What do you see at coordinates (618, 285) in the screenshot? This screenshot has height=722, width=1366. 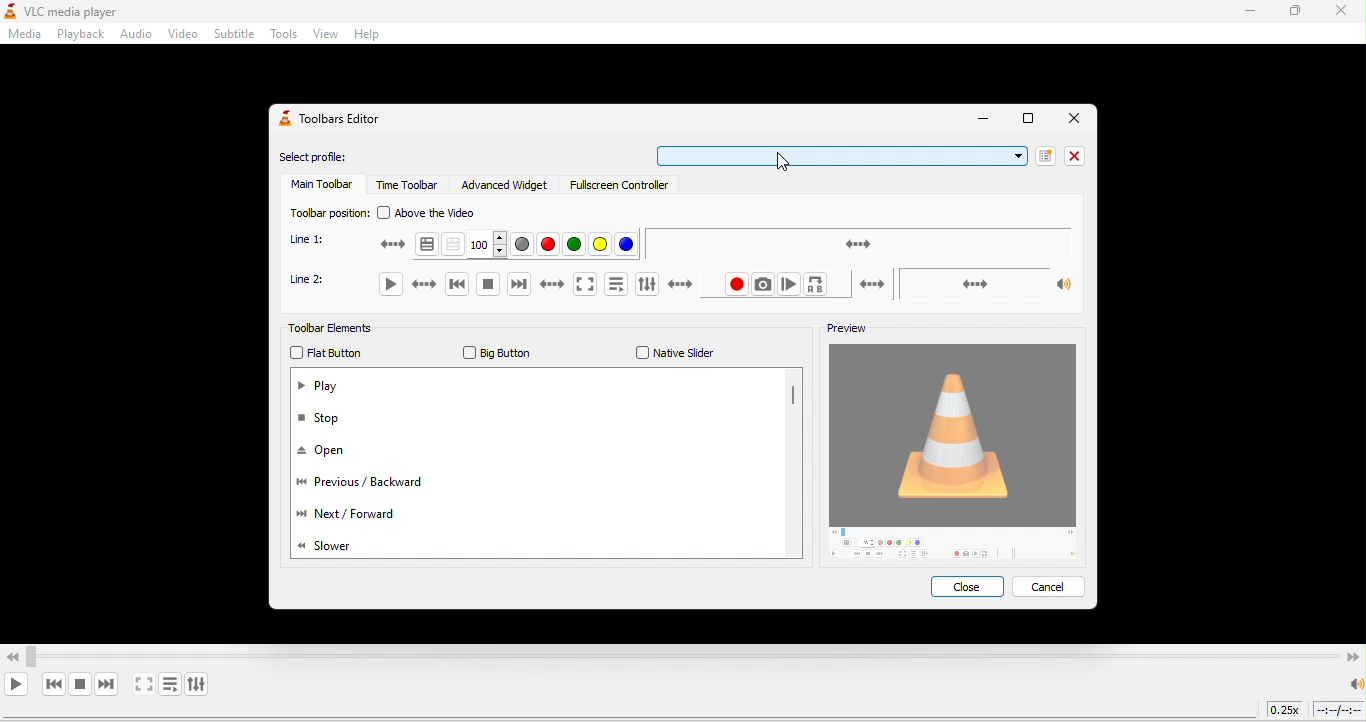 I see `toggle playlist` at bounding box center [618, 285].